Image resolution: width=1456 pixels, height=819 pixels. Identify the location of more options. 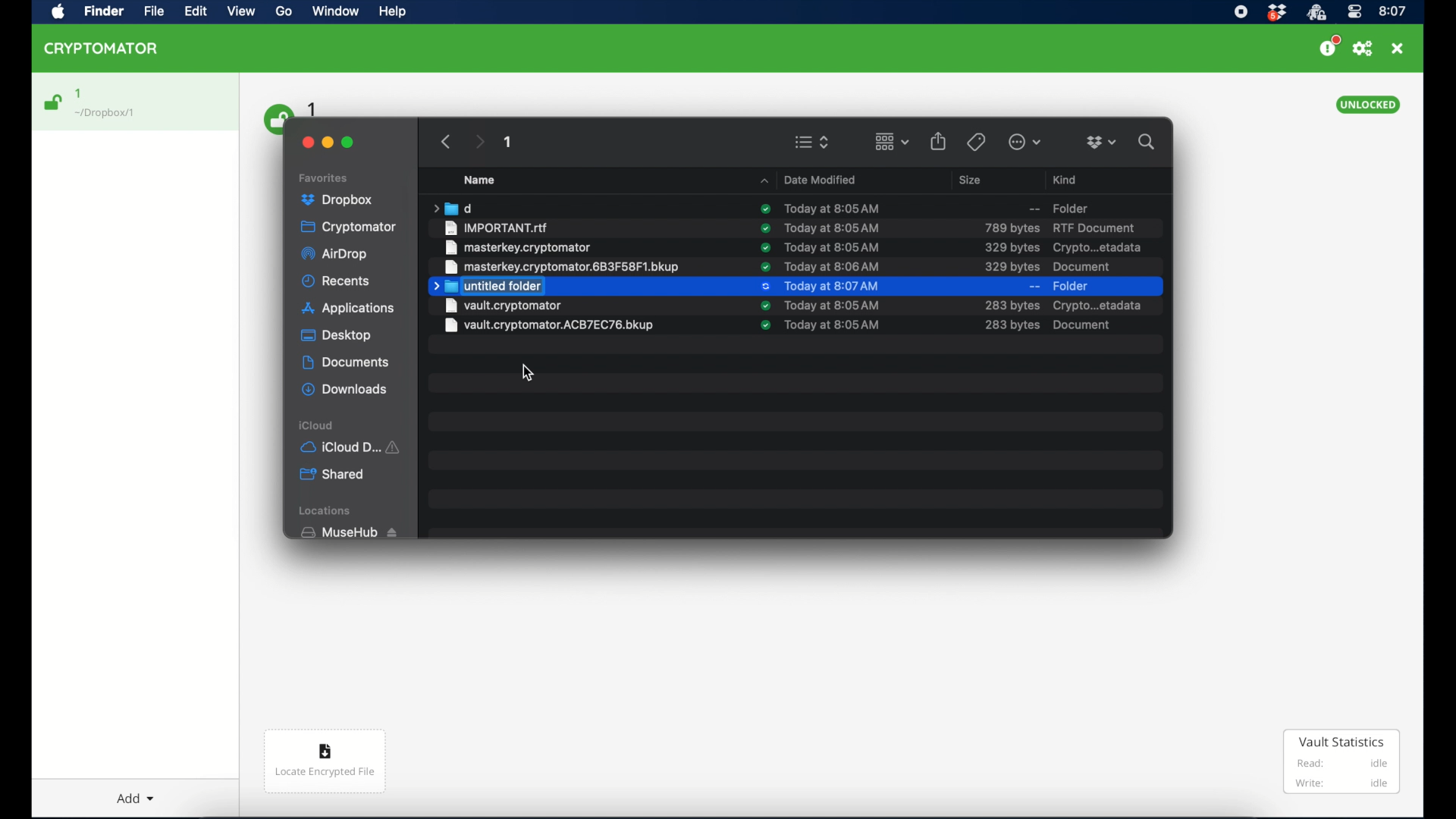
(1025, 142).